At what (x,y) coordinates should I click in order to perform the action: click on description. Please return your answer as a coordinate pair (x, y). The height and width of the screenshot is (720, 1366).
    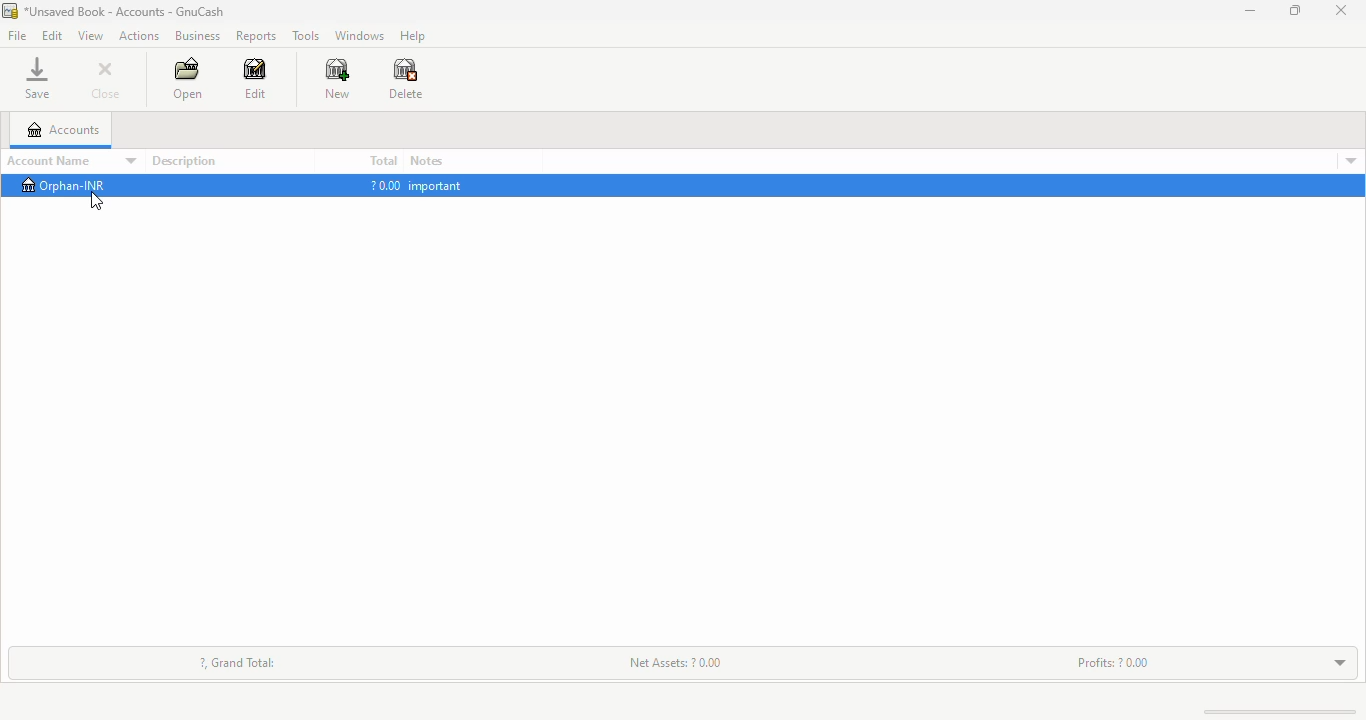
    Looking at the image, I should click on (184, 160).